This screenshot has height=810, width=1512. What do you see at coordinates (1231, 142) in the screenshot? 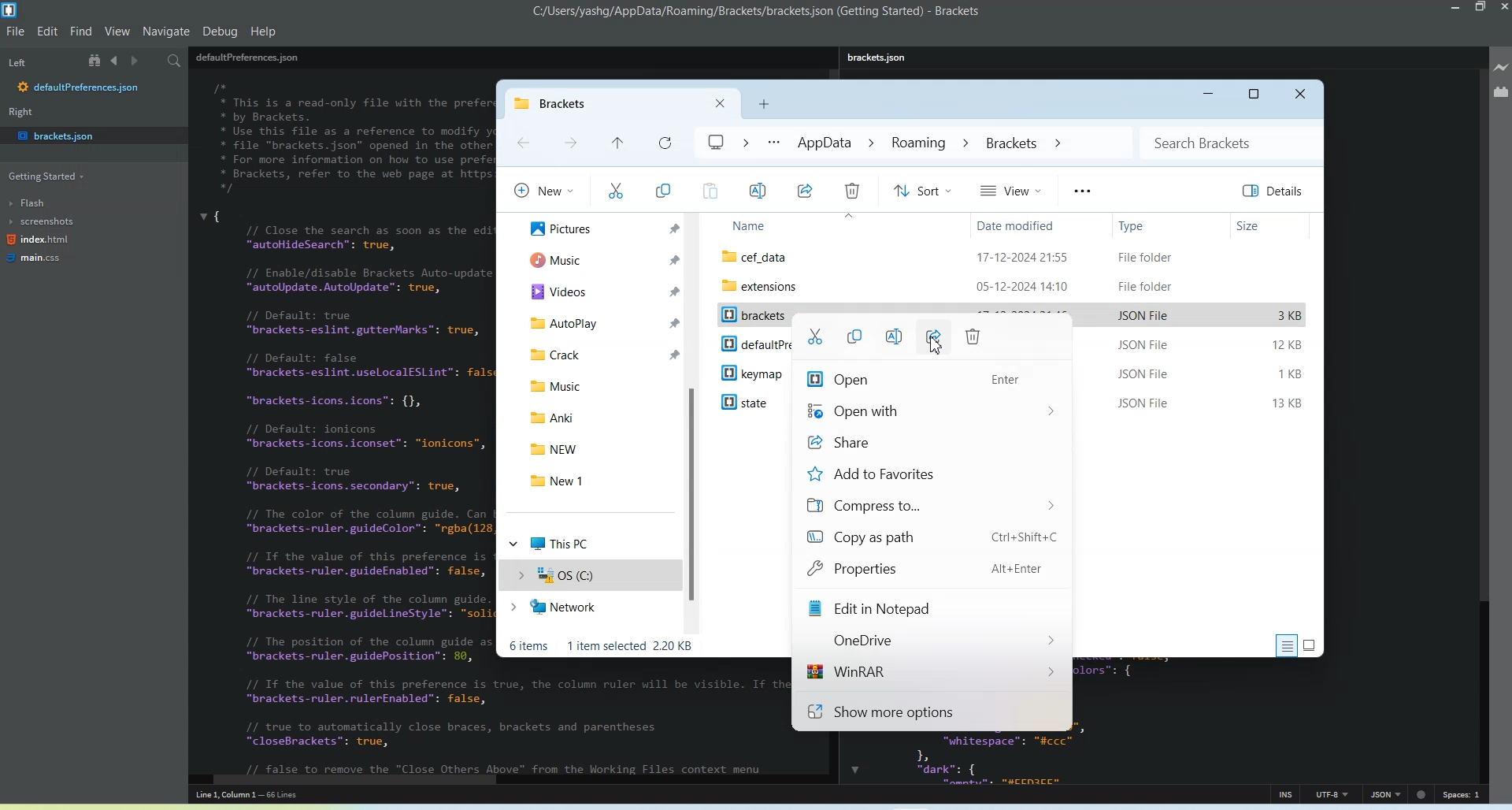
I see `Search Bar` at bounding box center [1231, 142].